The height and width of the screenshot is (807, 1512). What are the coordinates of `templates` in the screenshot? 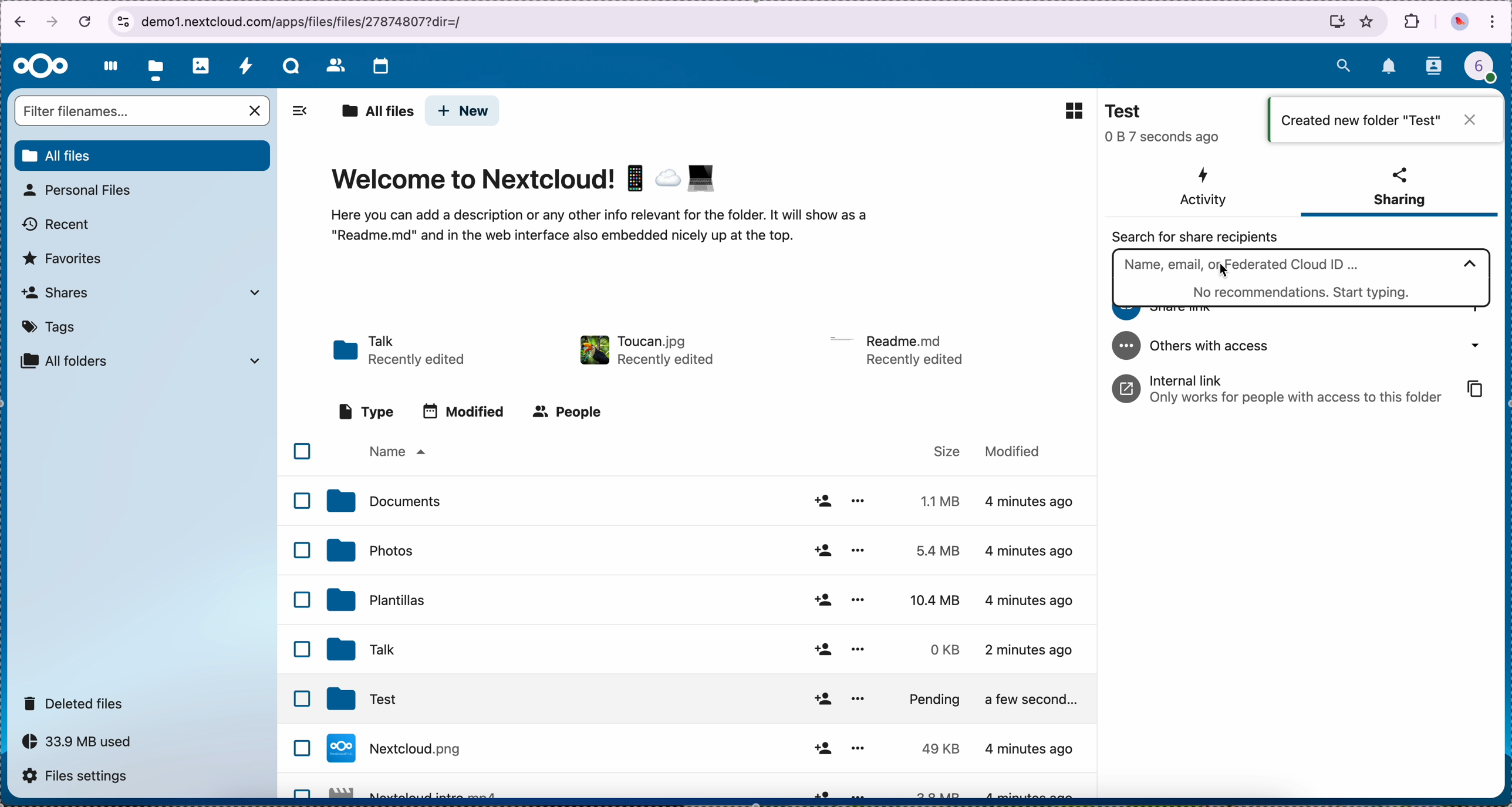 It's located at (703, 597).